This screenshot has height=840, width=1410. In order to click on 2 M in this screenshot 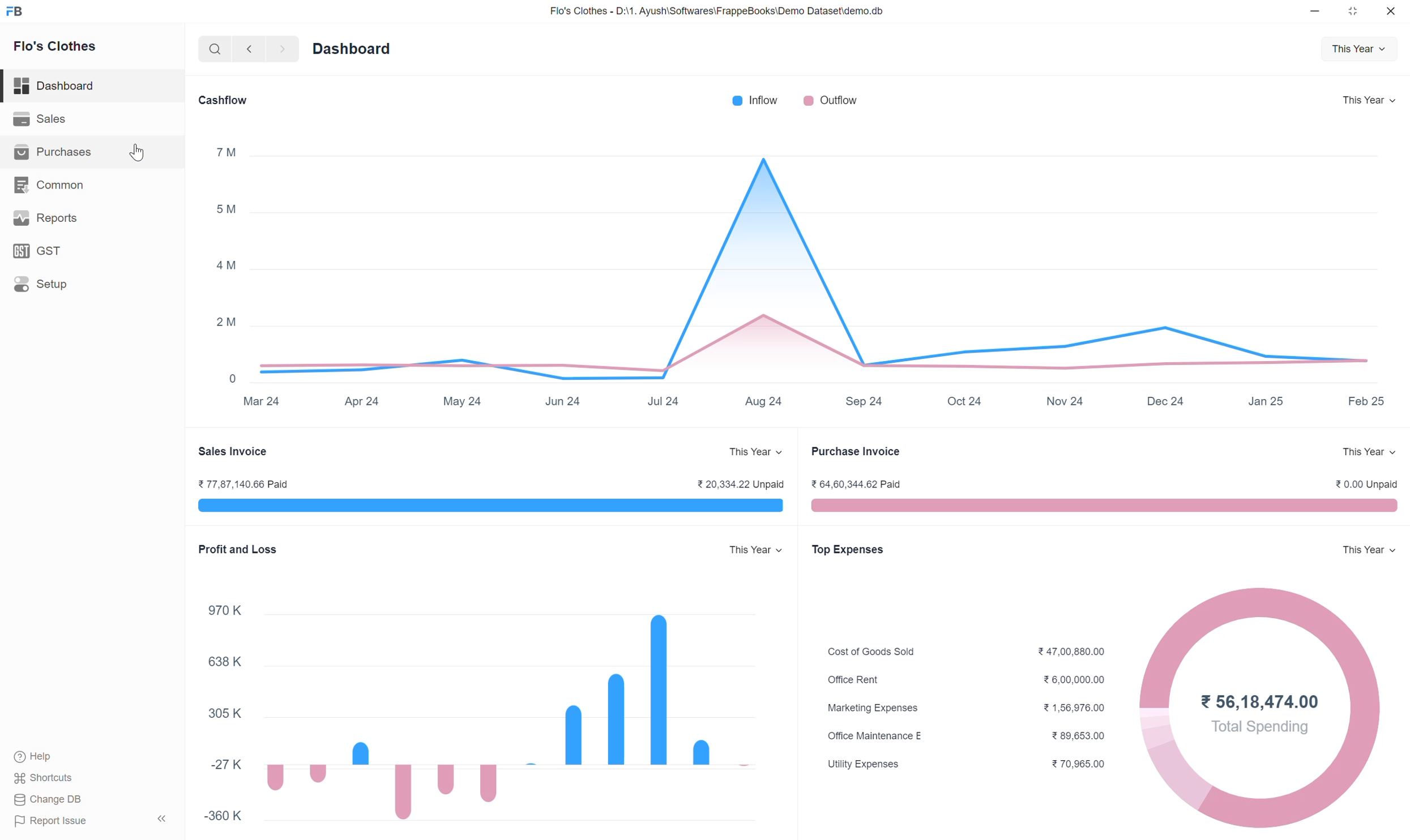, I will do `click(226, 322)`.